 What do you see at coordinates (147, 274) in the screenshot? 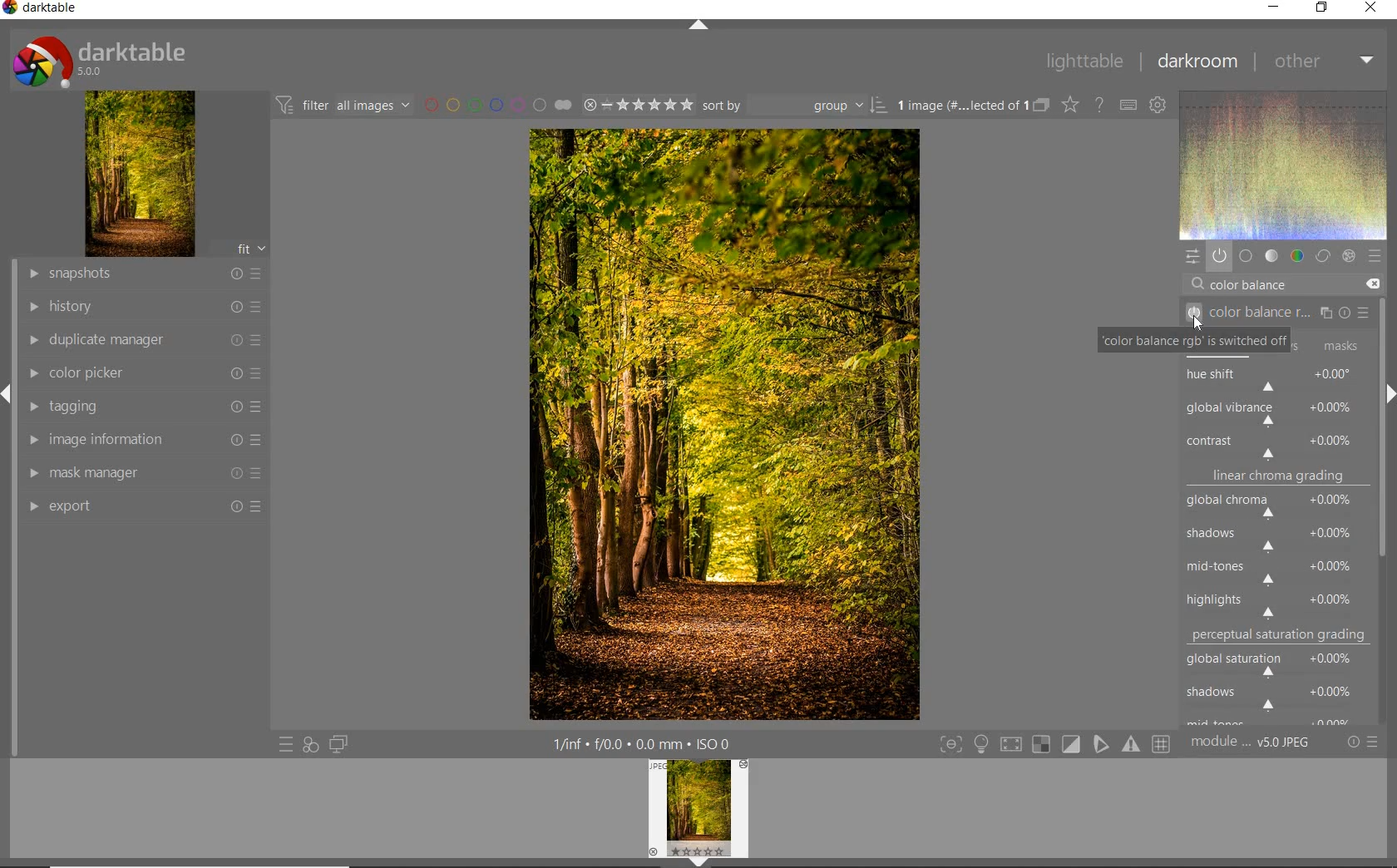
I see `snapshots` at bounding box center [147, 274].